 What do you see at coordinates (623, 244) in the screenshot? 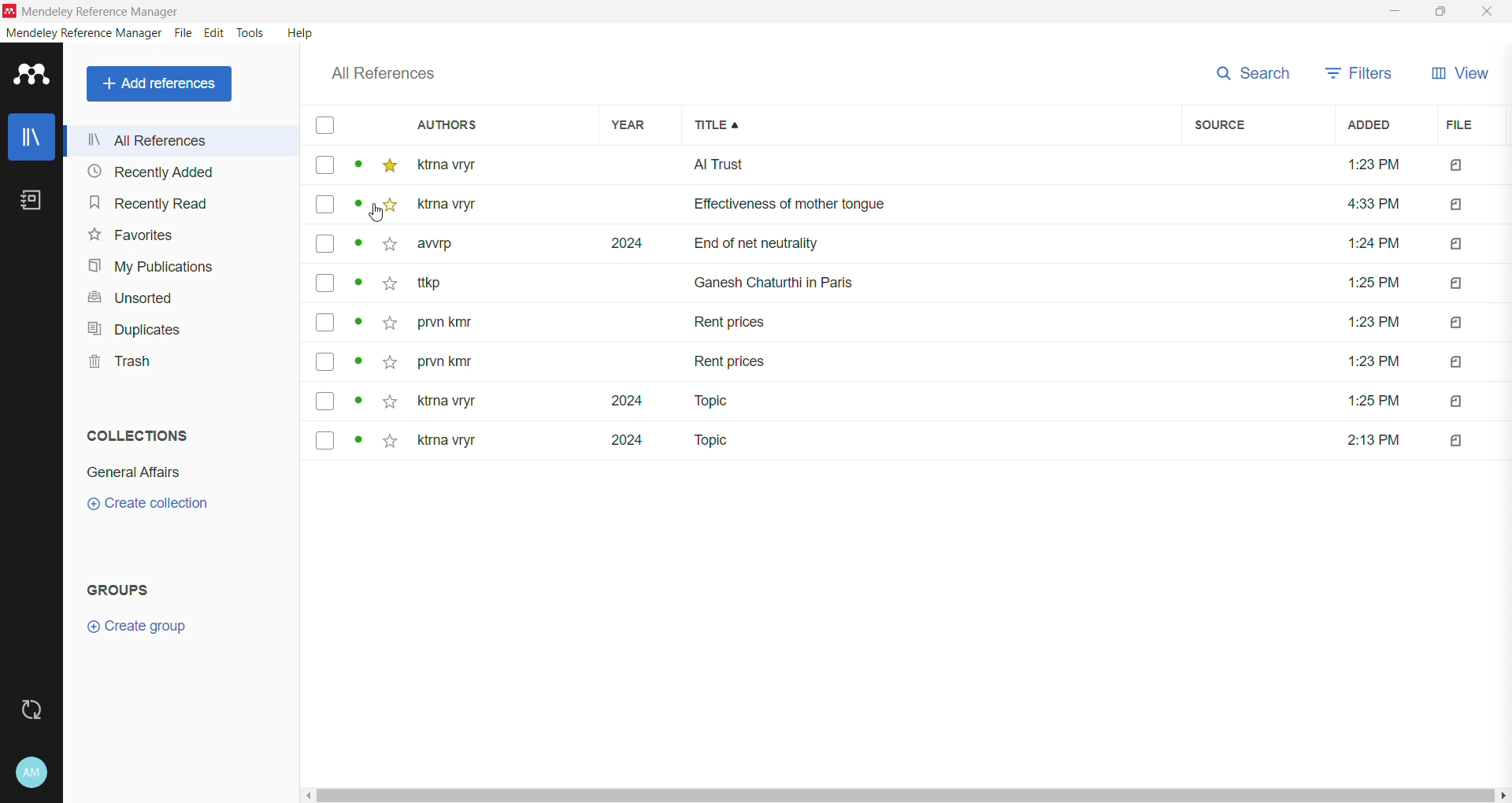
I see `2024` at bounding box center [623, 244].